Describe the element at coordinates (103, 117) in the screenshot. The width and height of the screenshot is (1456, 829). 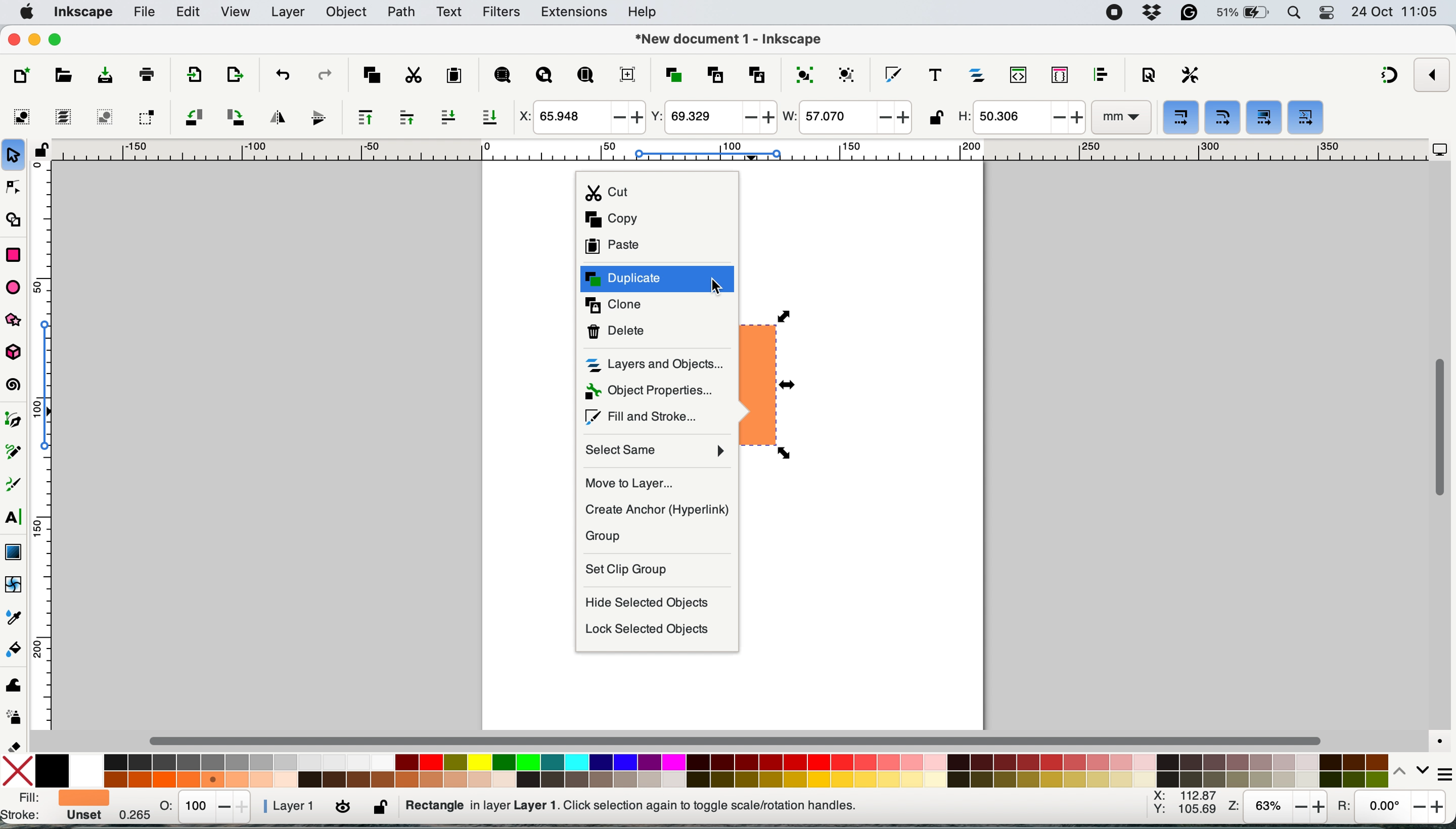
I see `deselect any selected objects` at that location.